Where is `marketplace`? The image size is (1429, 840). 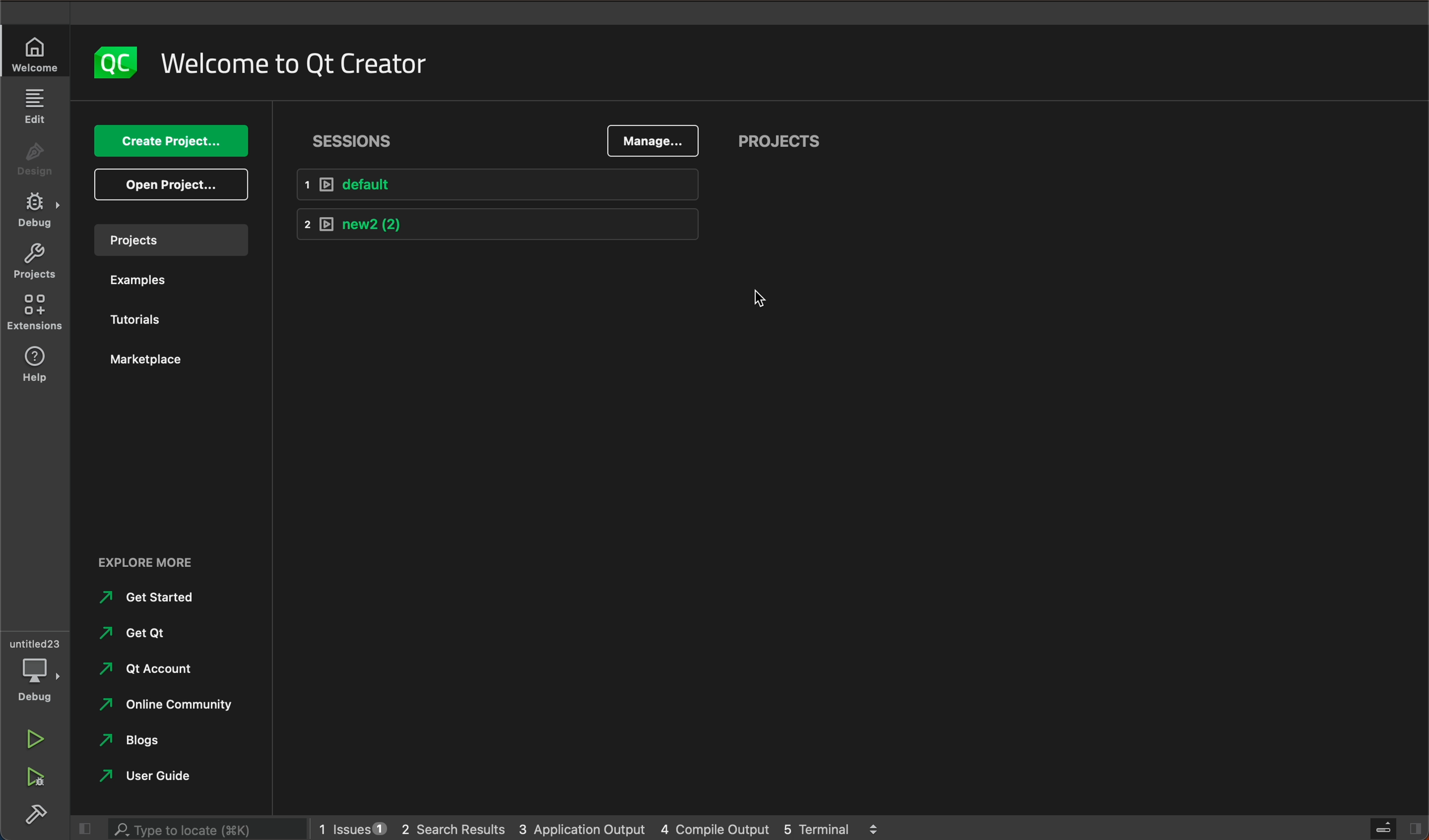 marketplace is located at coordinates (161, 361).